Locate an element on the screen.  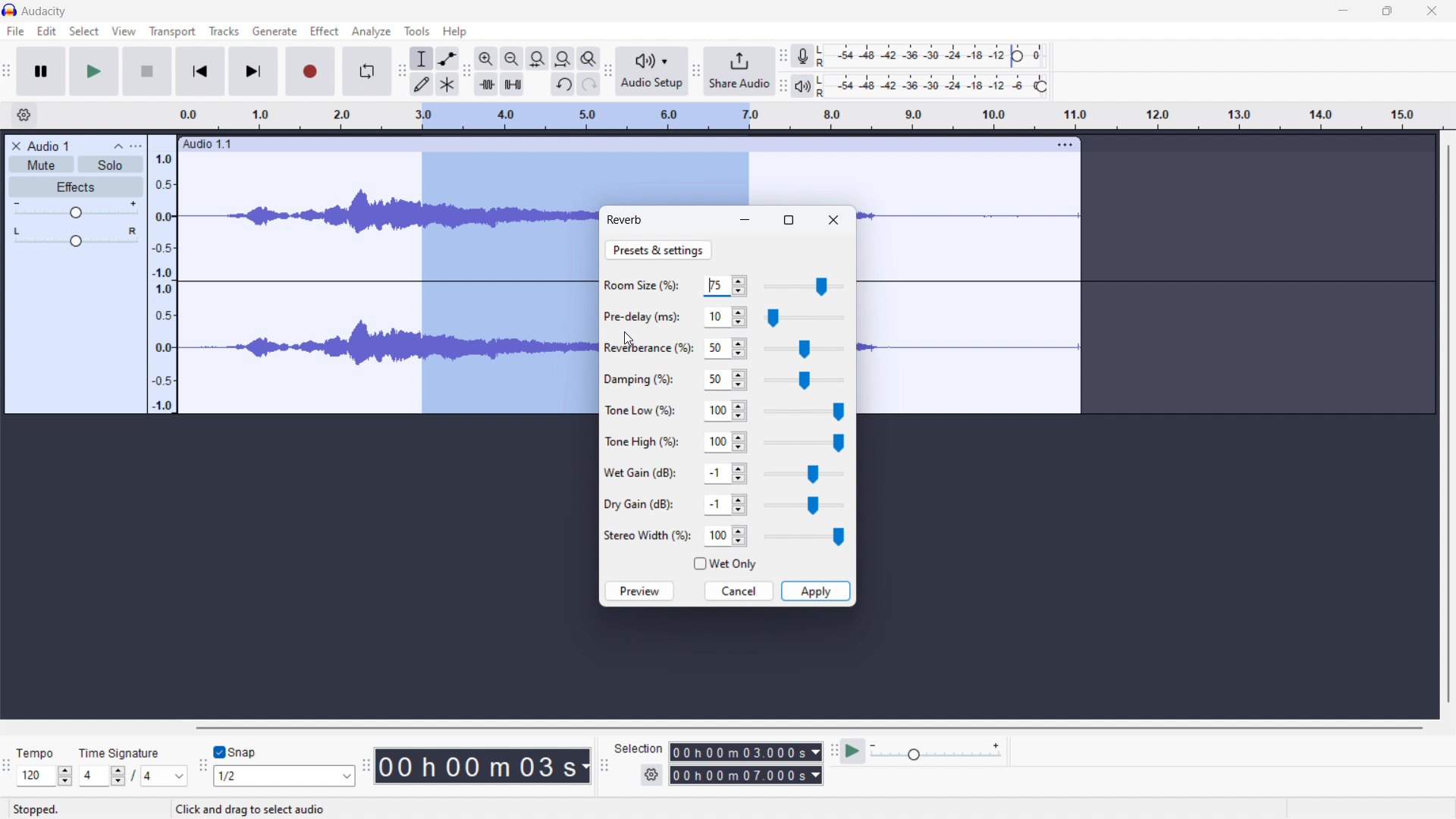
draw tool is located at coordinates (422, 85).